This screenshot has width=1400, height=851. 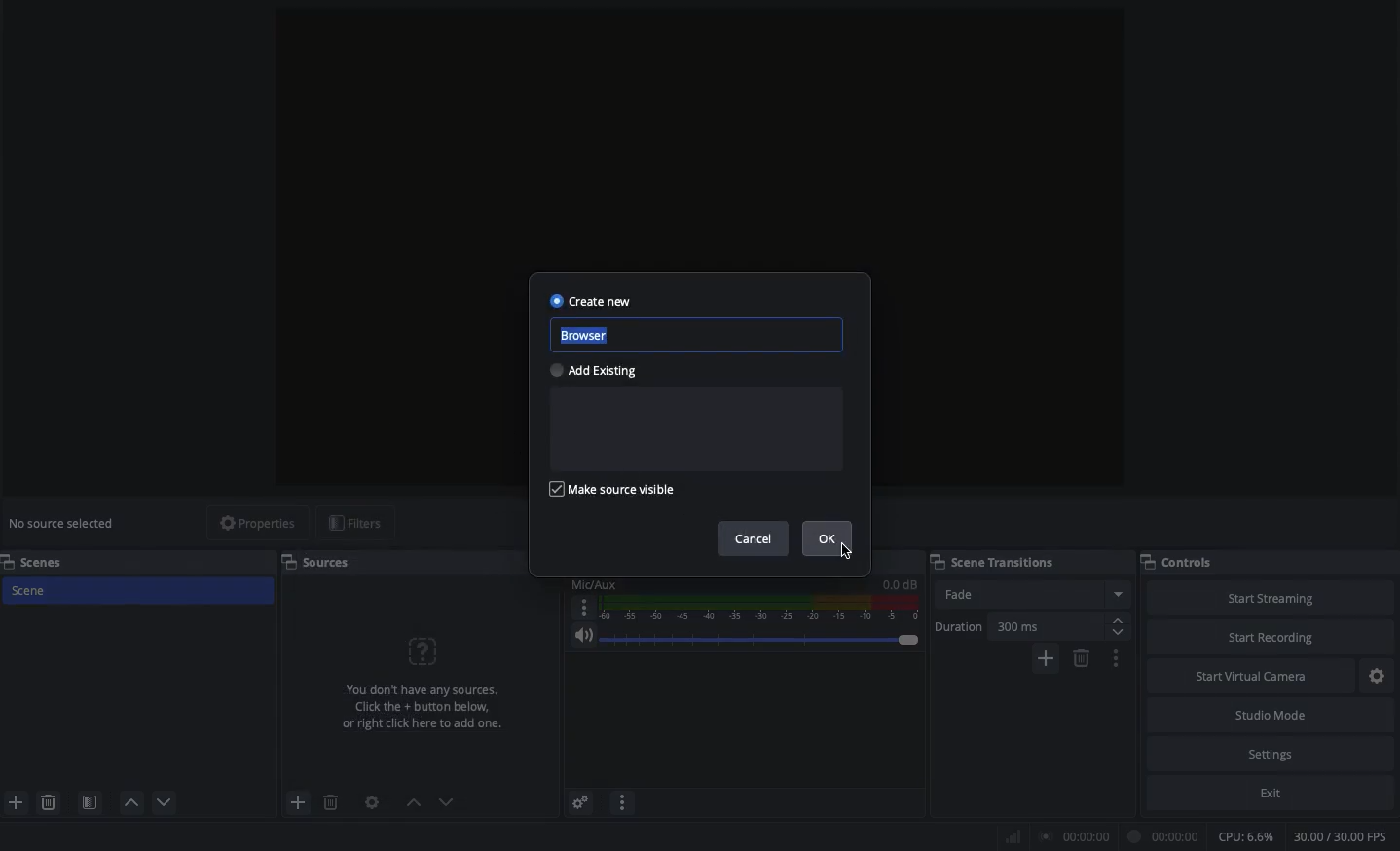 I want to click on No sources, so click(x=424, y=673).